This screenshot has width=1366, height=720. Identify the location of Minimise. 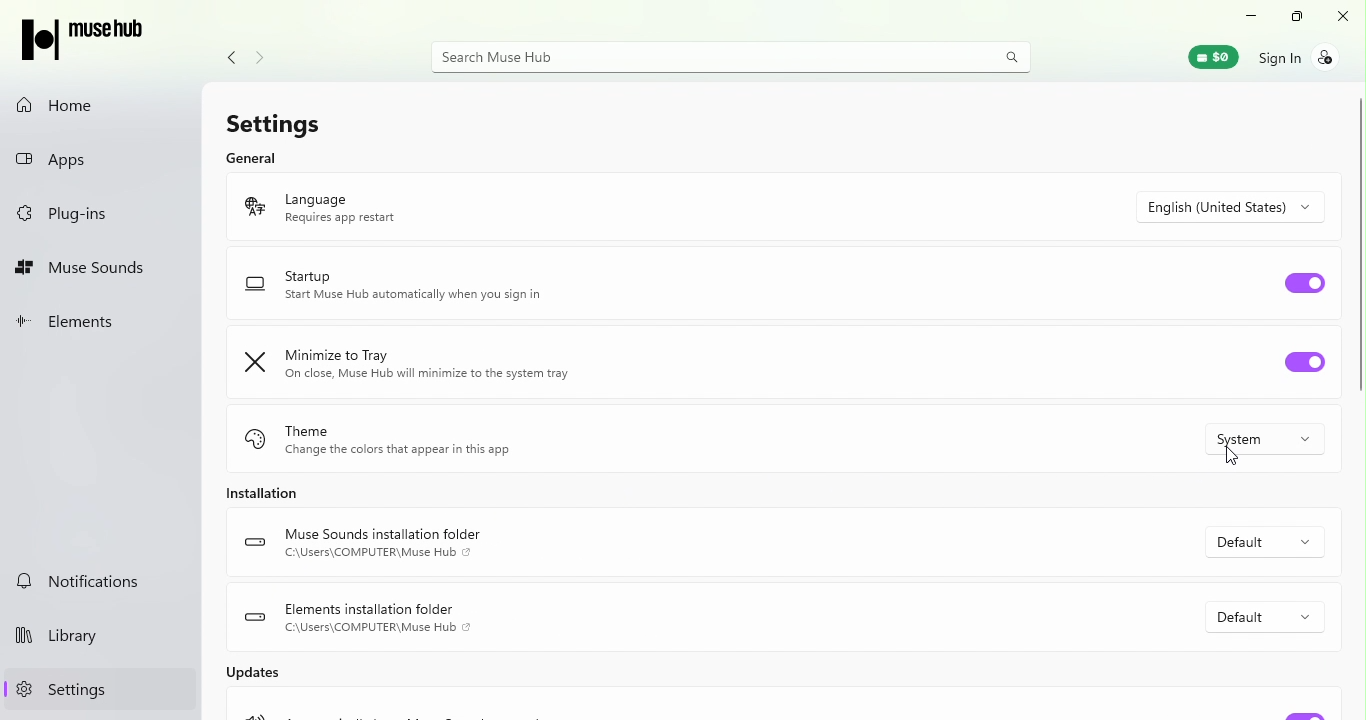
(1251, 17).